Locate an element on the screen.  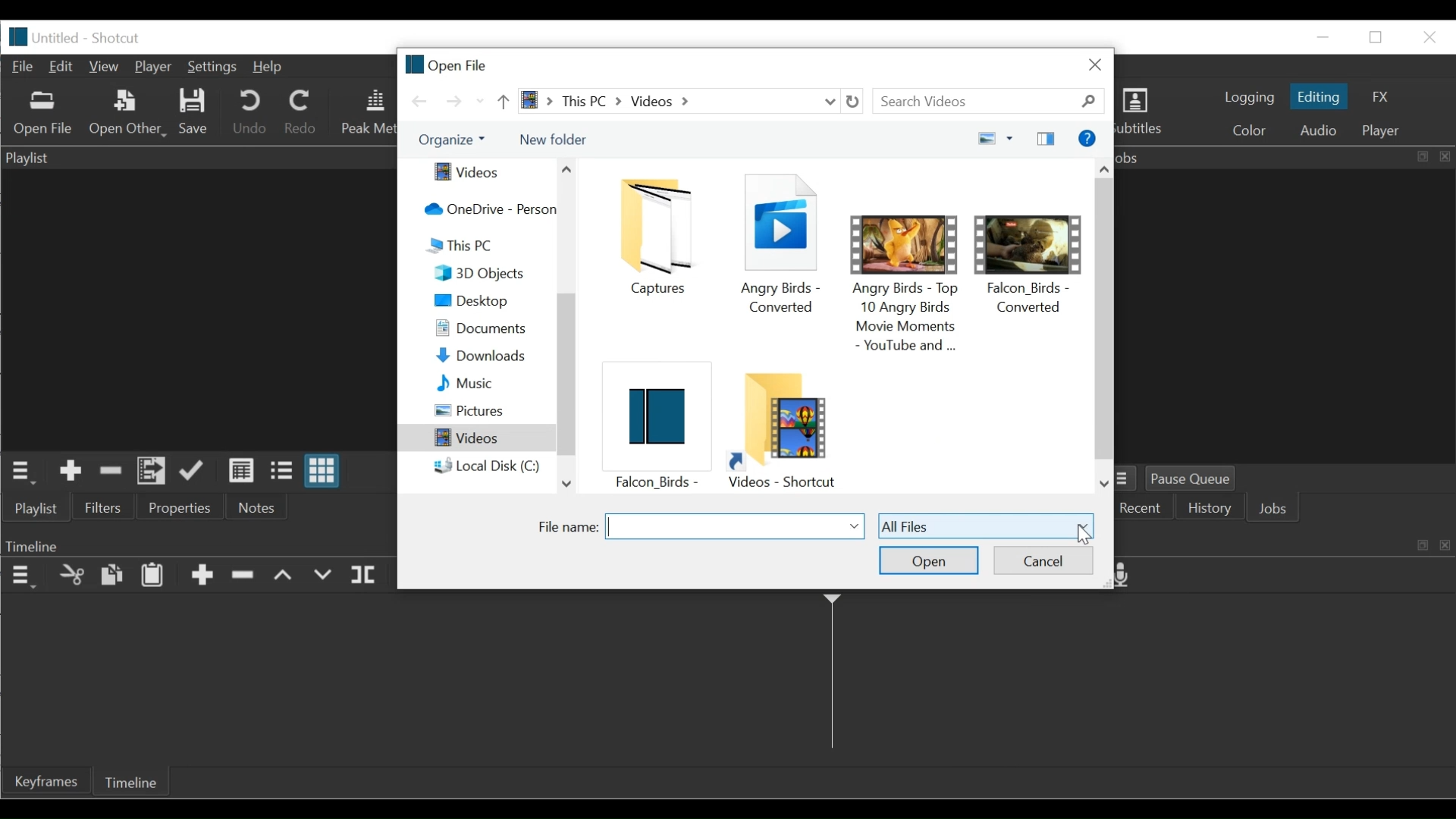
Append is located at coordinates (202, 577).